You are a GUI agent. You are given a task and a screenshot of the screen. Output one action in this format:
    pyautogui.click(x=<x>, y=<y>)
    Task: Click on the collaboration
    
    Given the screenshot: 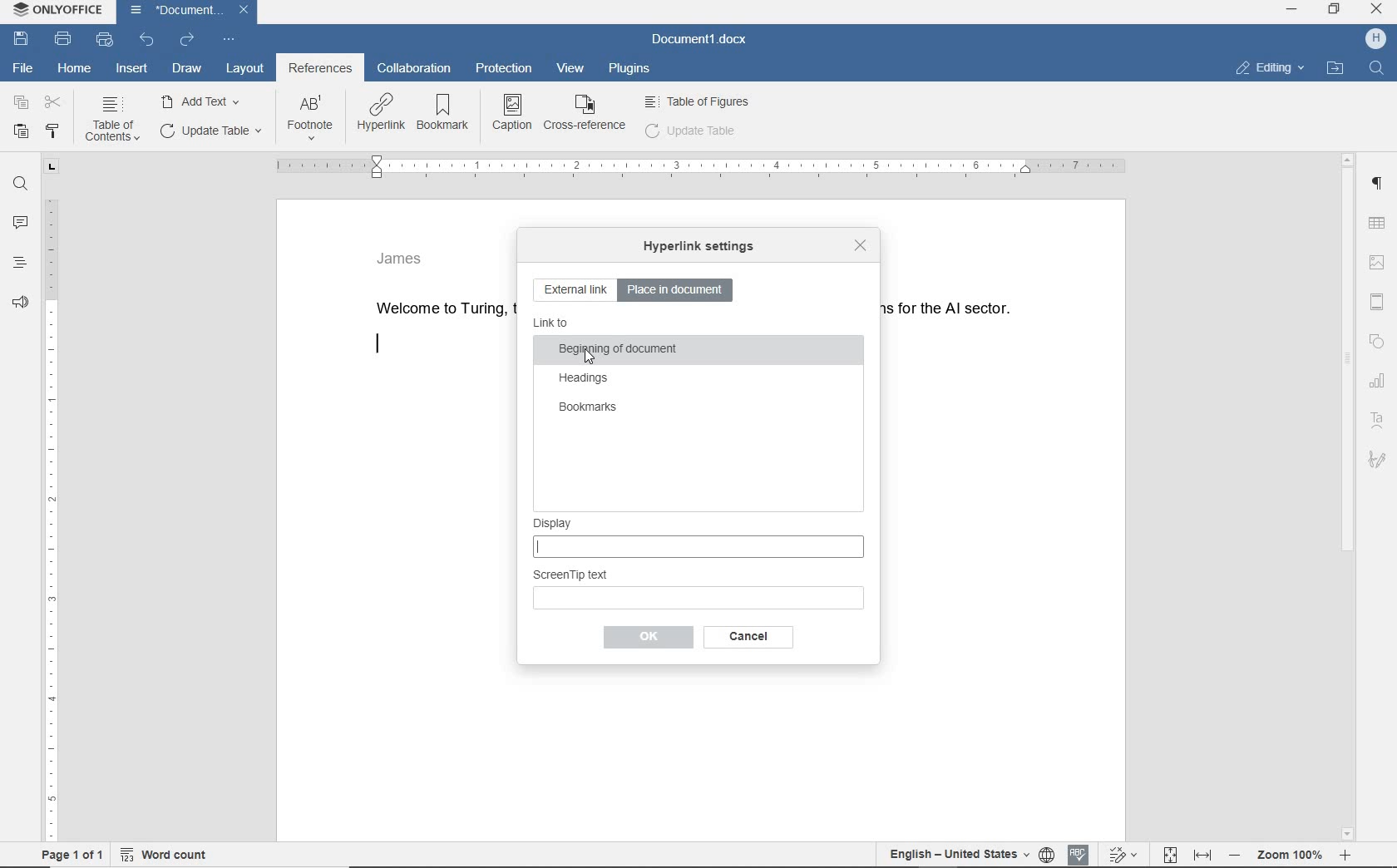 What is the action you would take?
    pyautogui.click(x=417, y=69)
    